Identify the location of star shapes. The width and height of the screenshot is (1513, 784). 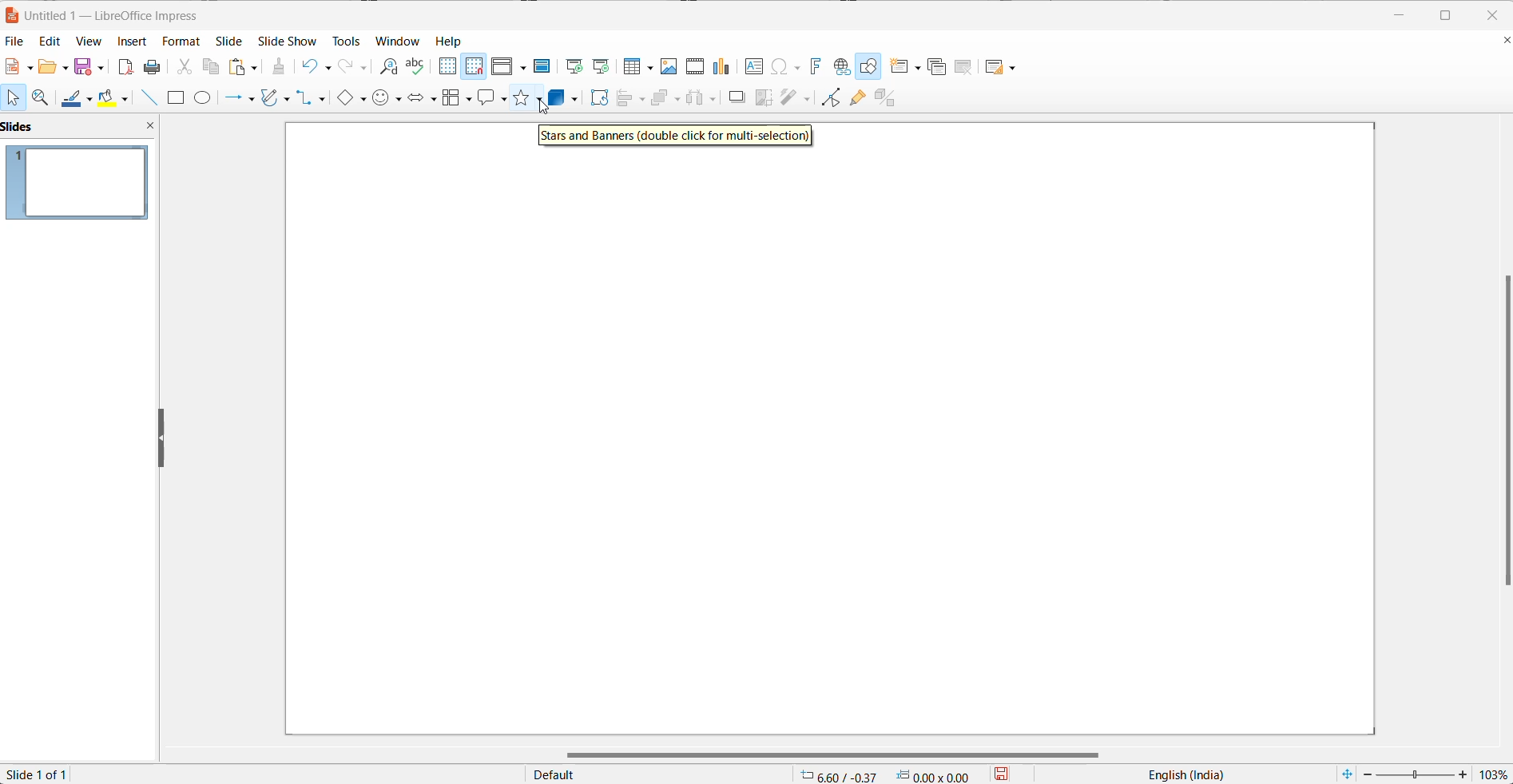
(527, 101).